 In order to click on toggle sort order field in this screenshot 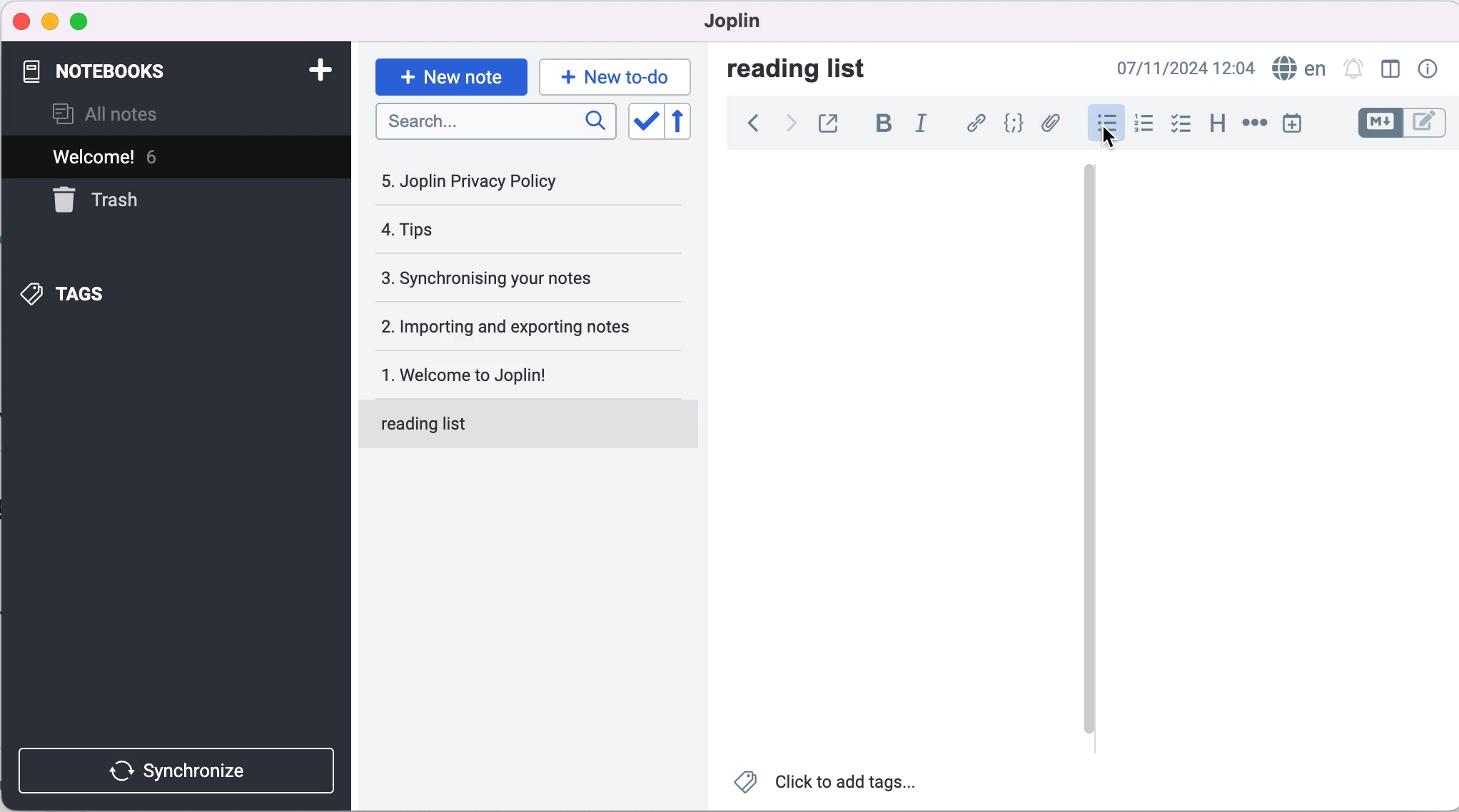, I will do `click(646, 123)`.